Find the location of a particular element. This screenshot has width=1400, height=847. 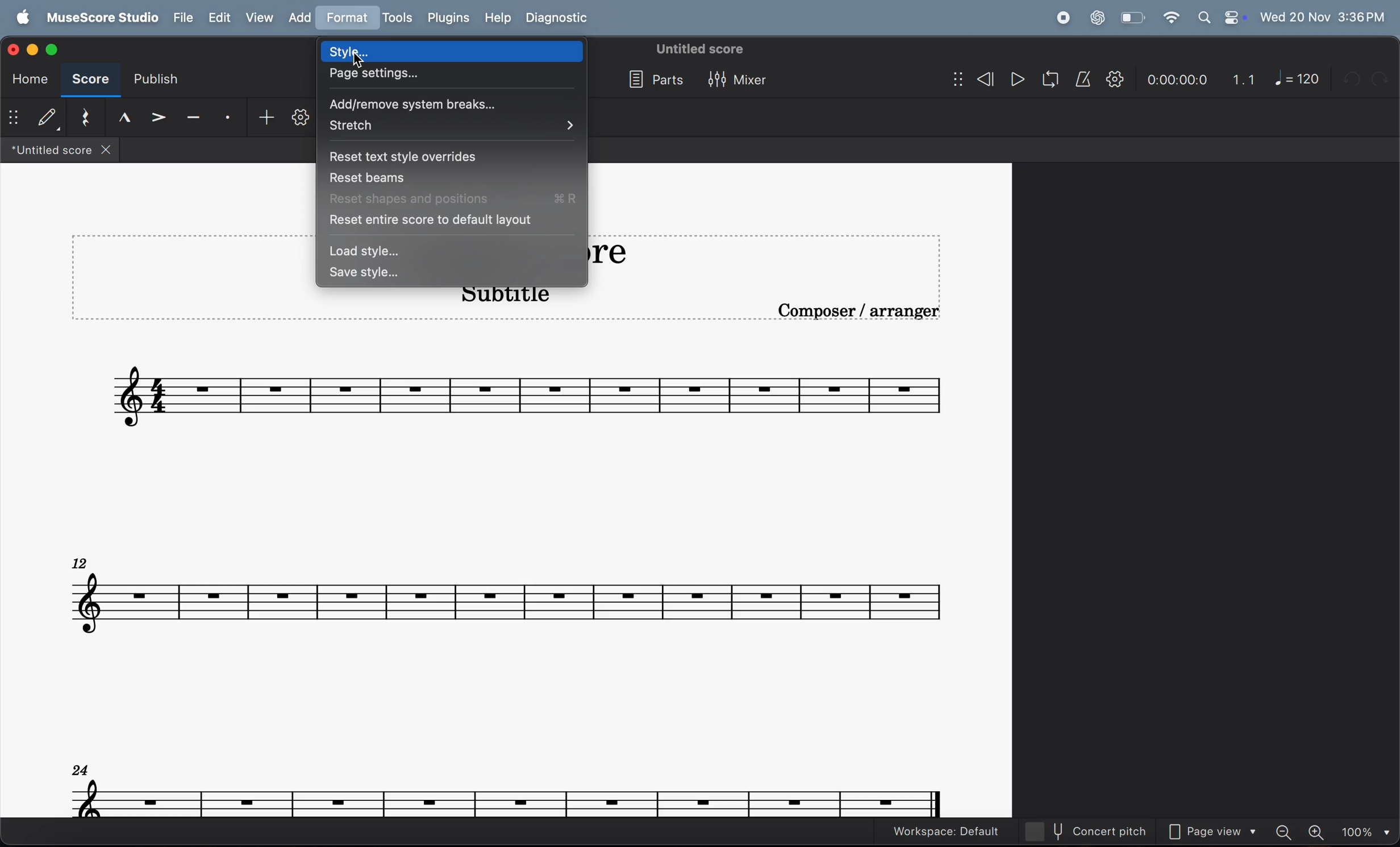

reset beams is located at coordinates (455, 178).